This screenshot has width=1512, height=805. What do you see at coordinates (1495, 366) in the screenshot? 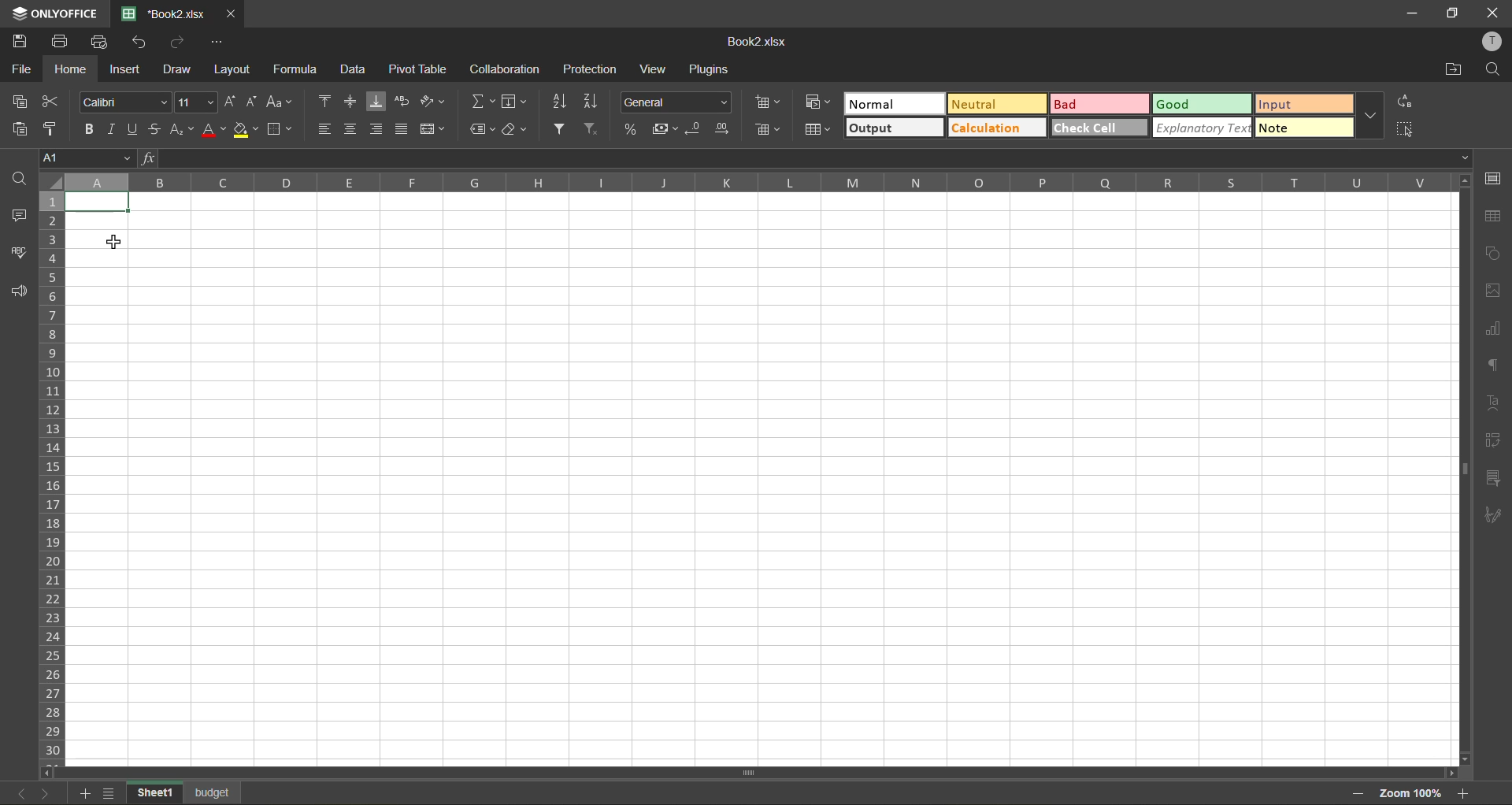
I see `paragraph` at bounding box center [1495, 366].